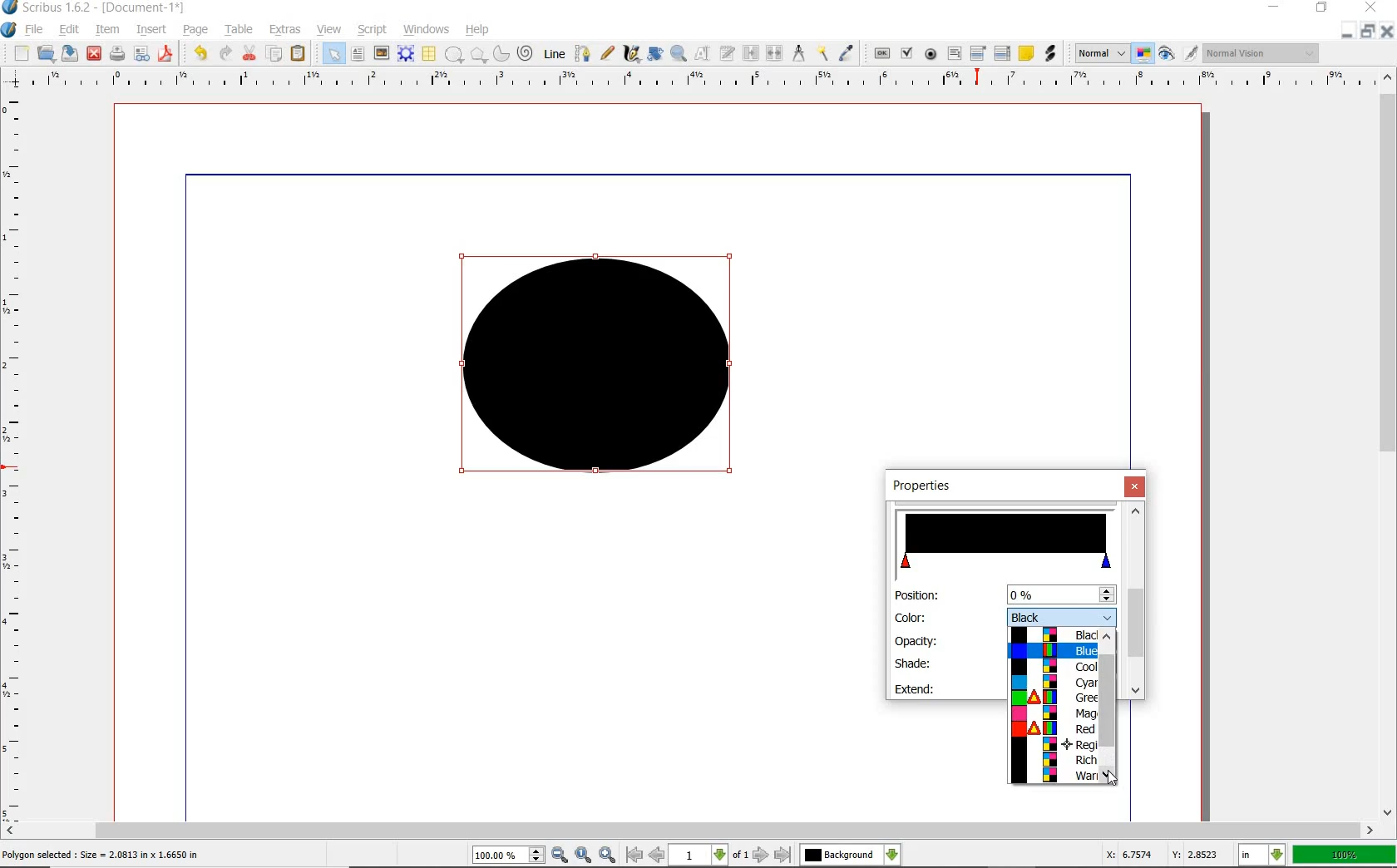 The height and width of the screenshot is (868, 1397). Describe the element at coordinates (239, 30) in the screenshot. I see `TABLE` at that location.